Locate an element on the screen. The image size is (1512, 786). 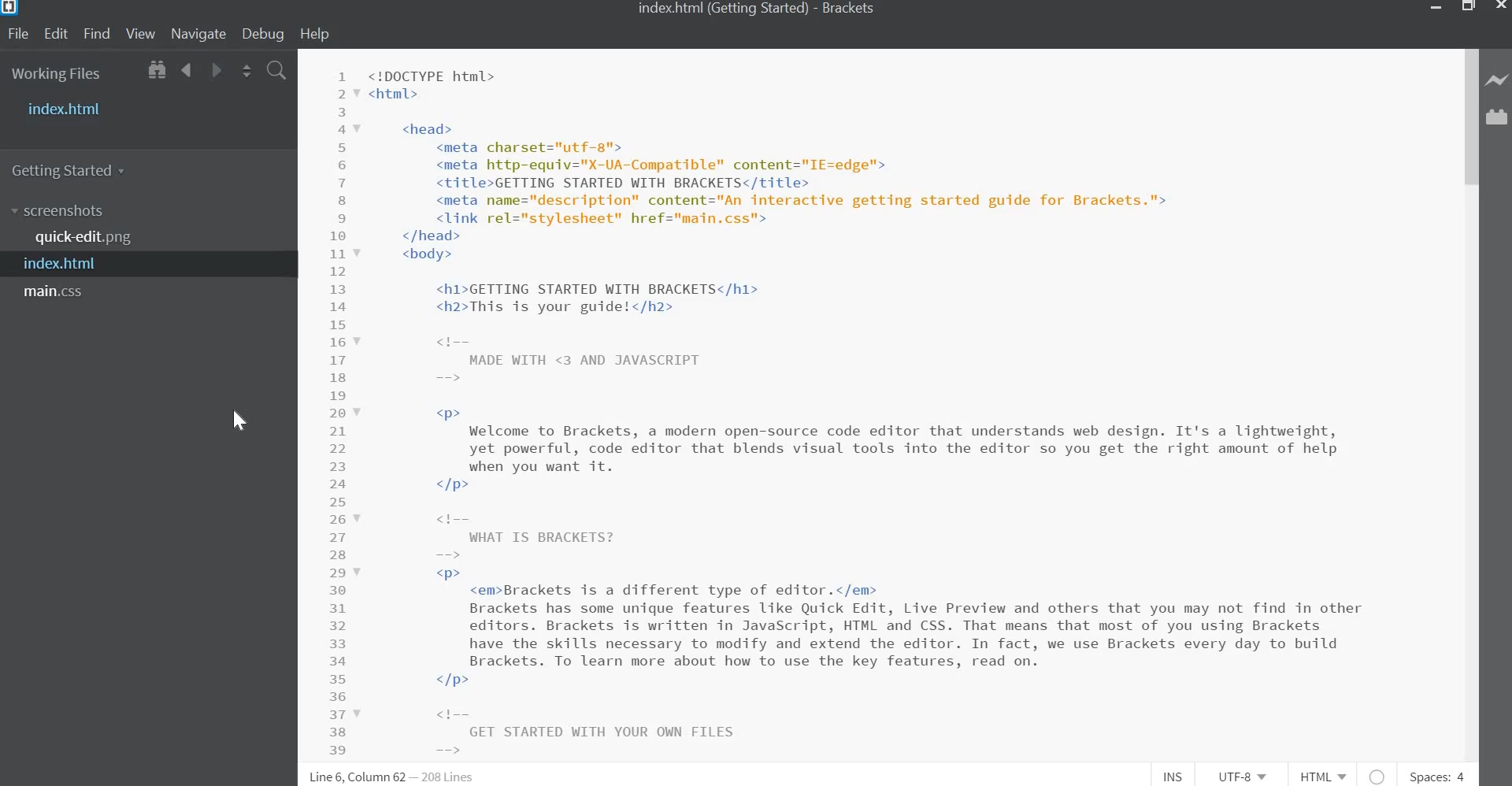
index.html (Getting Started) is located at coordinates (717, 8).